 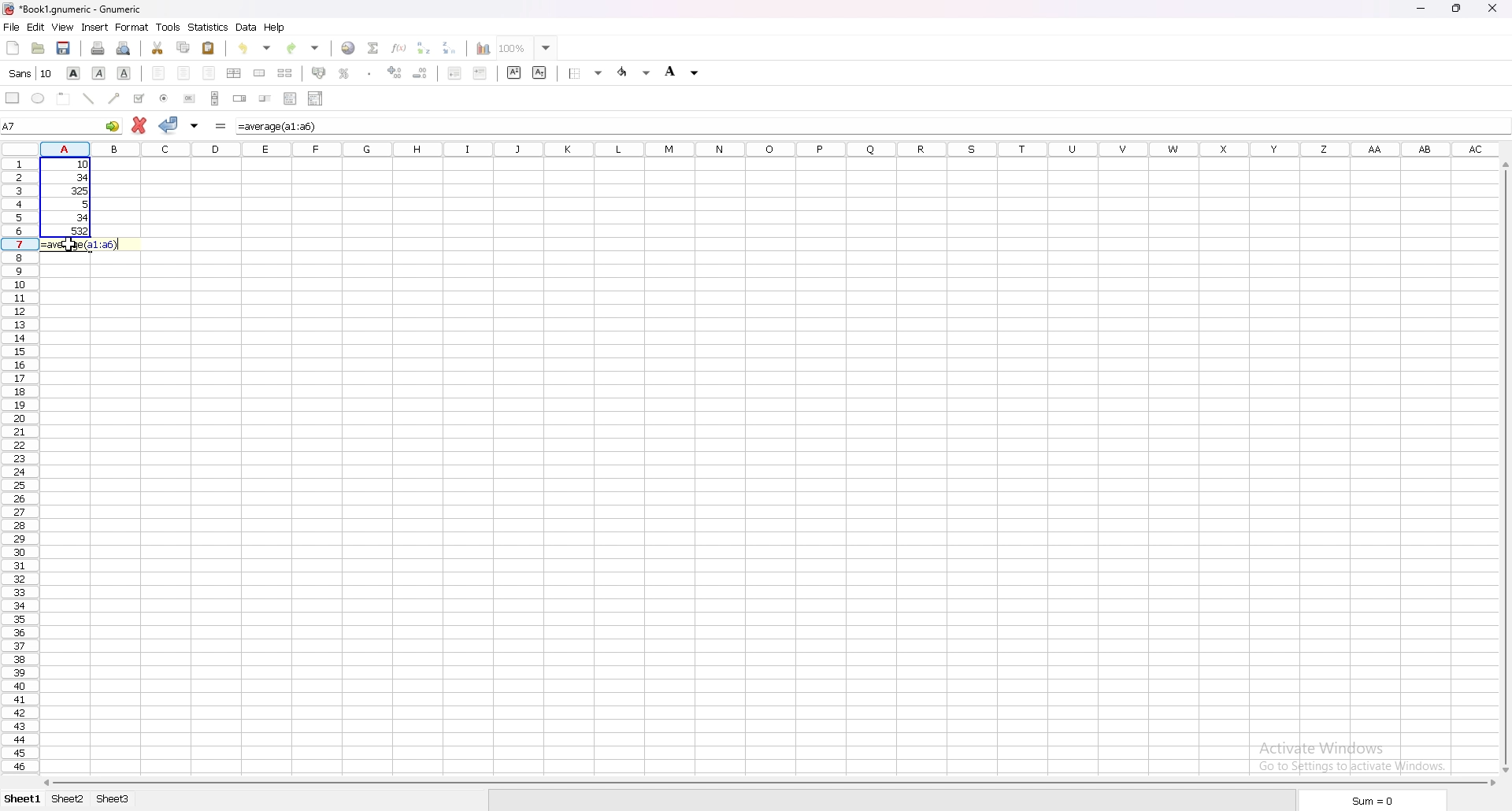 What do you see at coordinates (449, 47) in the screenshot?
I see `sort descending` at bounding box center [449, 47].